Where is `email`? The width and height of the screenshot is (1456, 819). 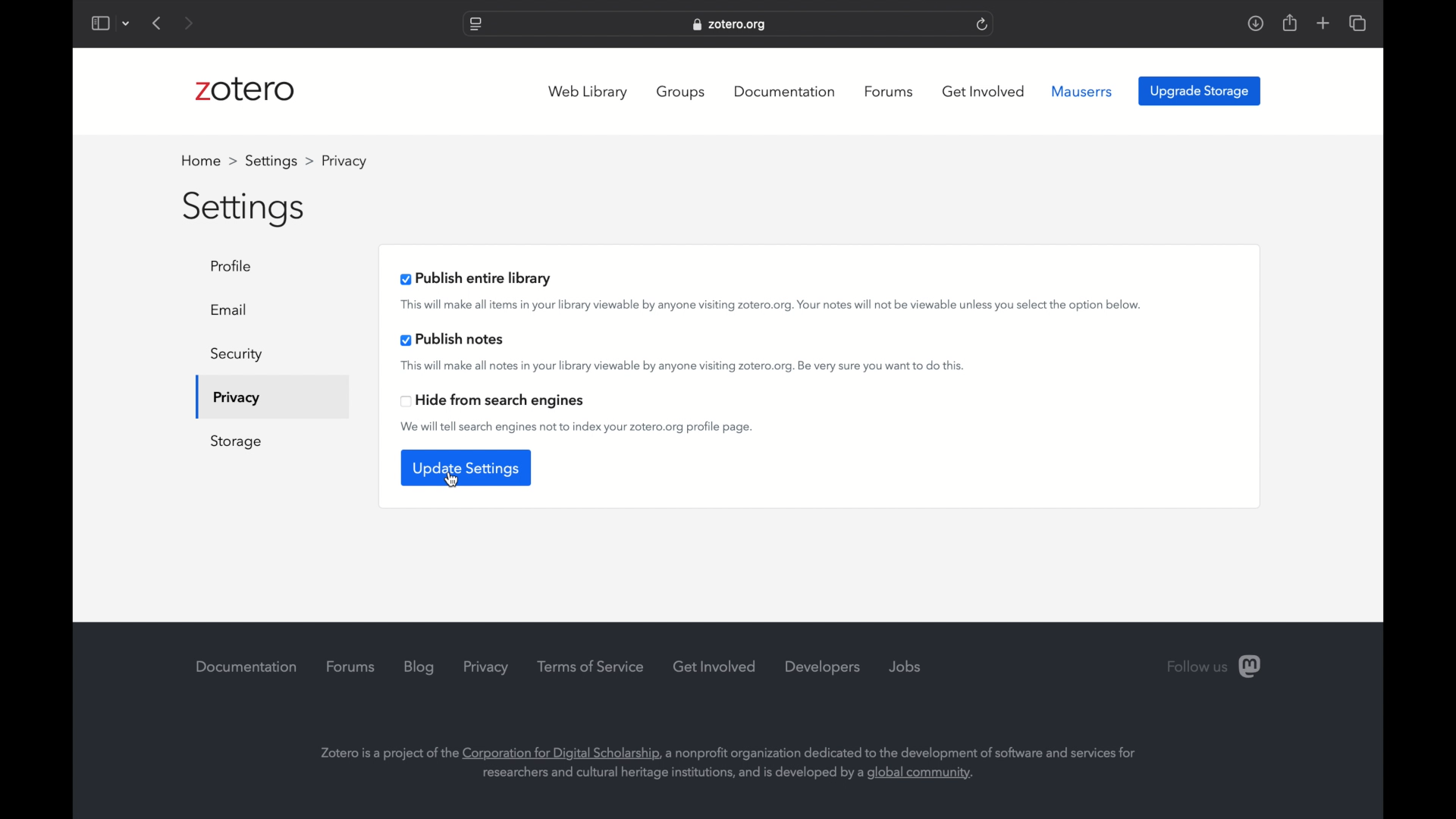
email is located at coordinates (231, 309).